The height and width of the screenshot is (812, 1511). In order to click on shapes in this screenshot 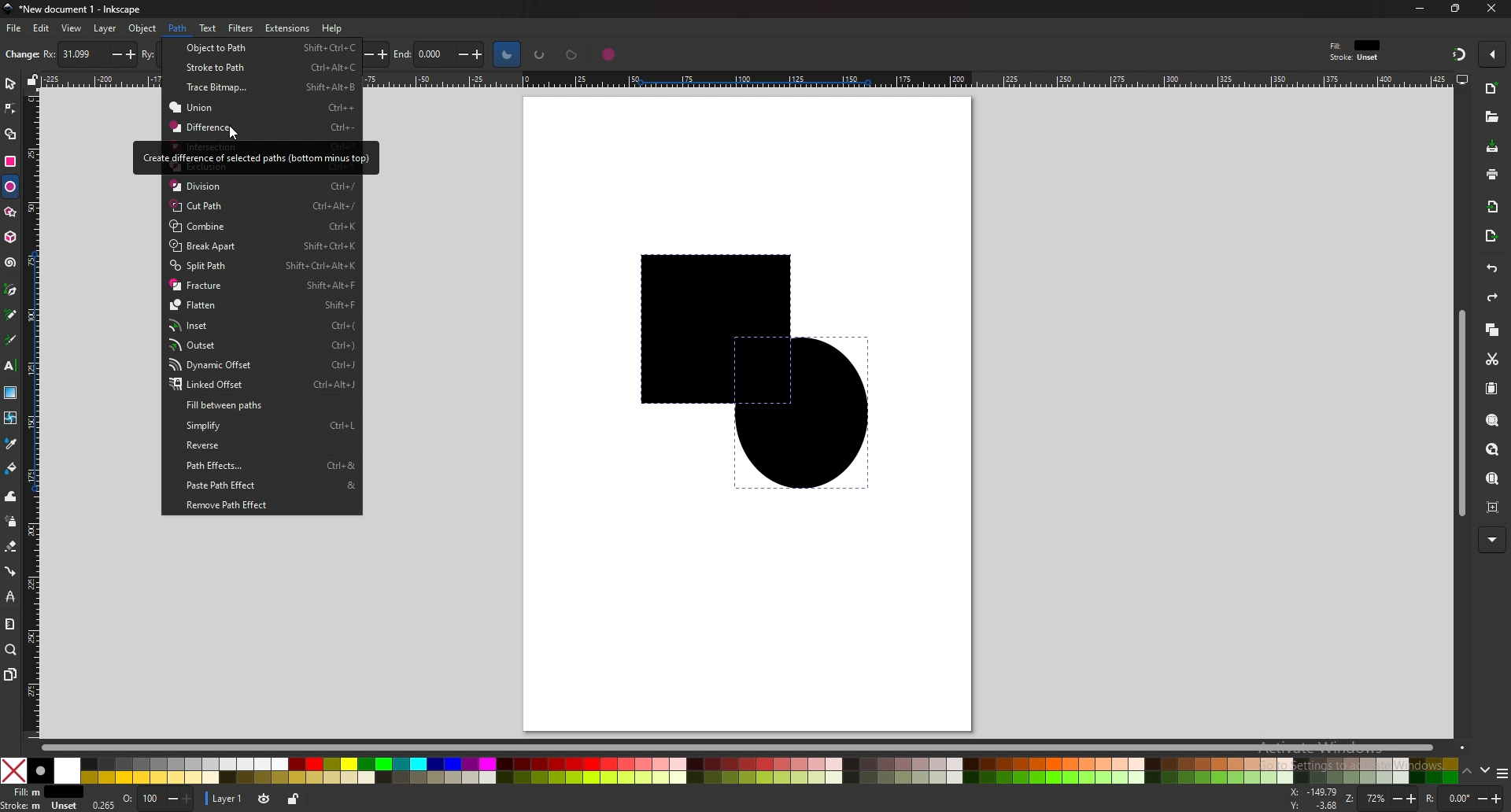, I will do `click(737, 372)`.